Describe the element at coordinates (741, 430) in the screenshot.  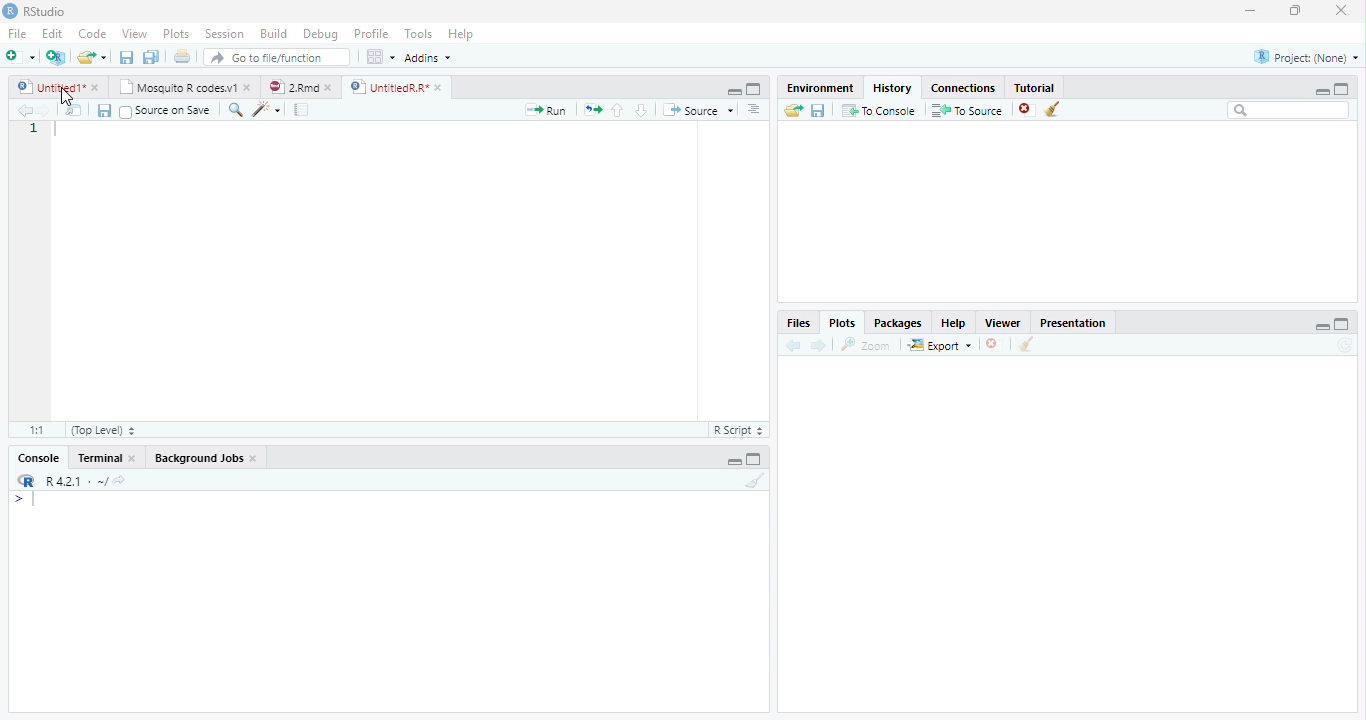
I see `R script` at that location.